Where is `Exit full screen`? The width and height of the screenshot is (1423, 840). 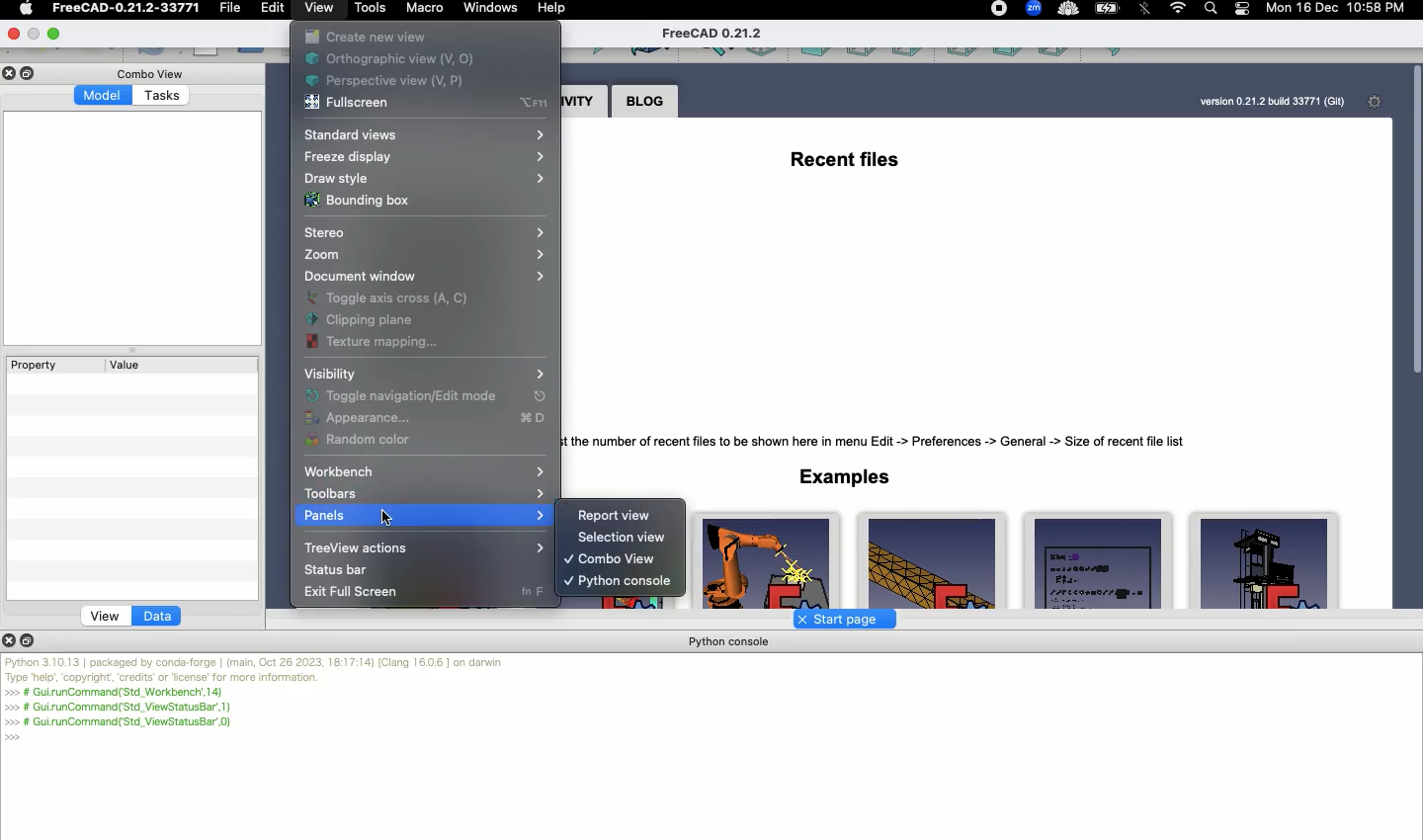 Exit full screen is located at coordinates (350, 592).